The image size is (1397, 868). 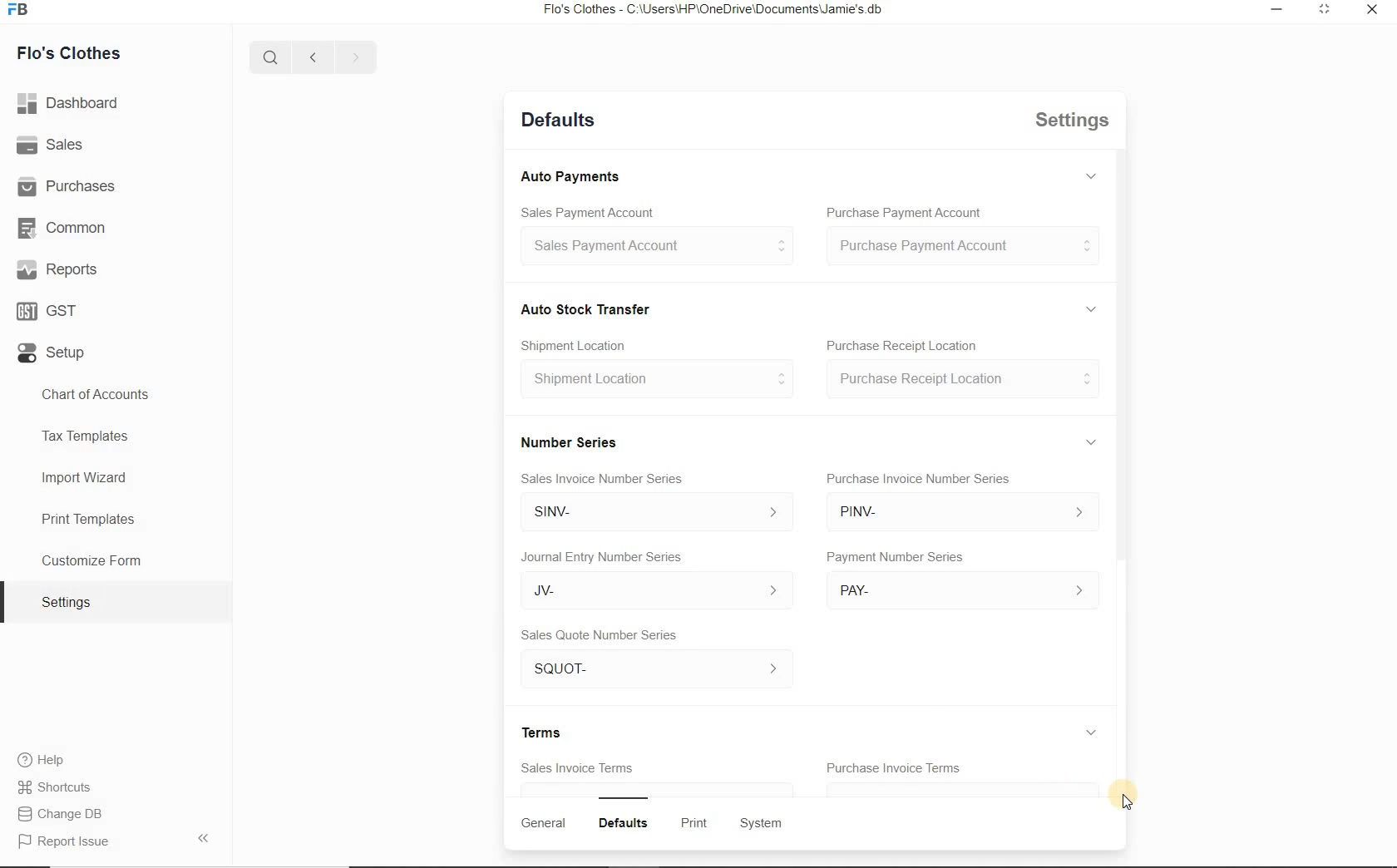 What do you see at coordinates (623, 796) in the screenshot?
I see `Bar` at bounding box center [623, 796].